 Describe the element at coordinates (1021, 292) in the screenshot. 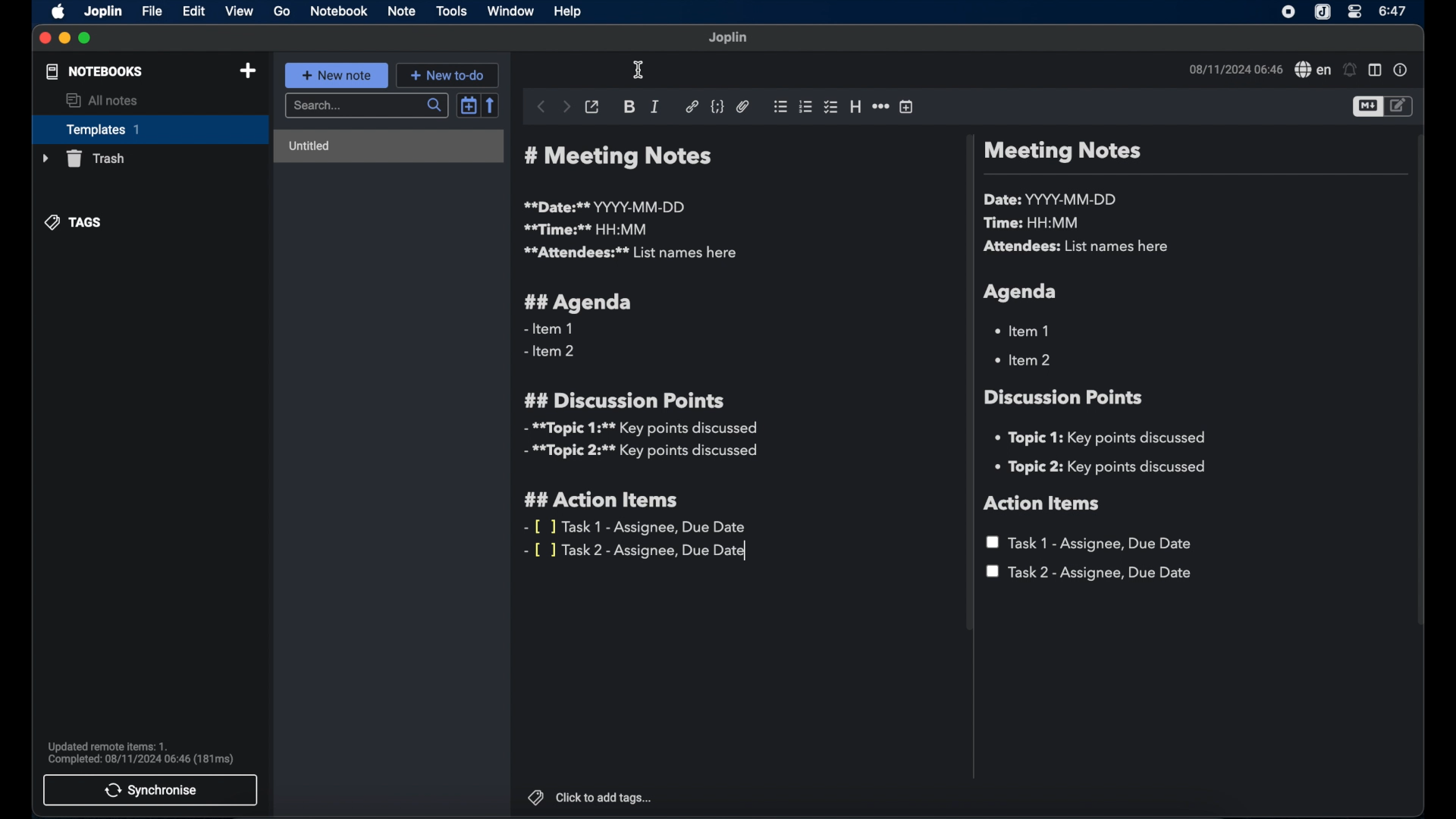

I see `agenda` at that location.